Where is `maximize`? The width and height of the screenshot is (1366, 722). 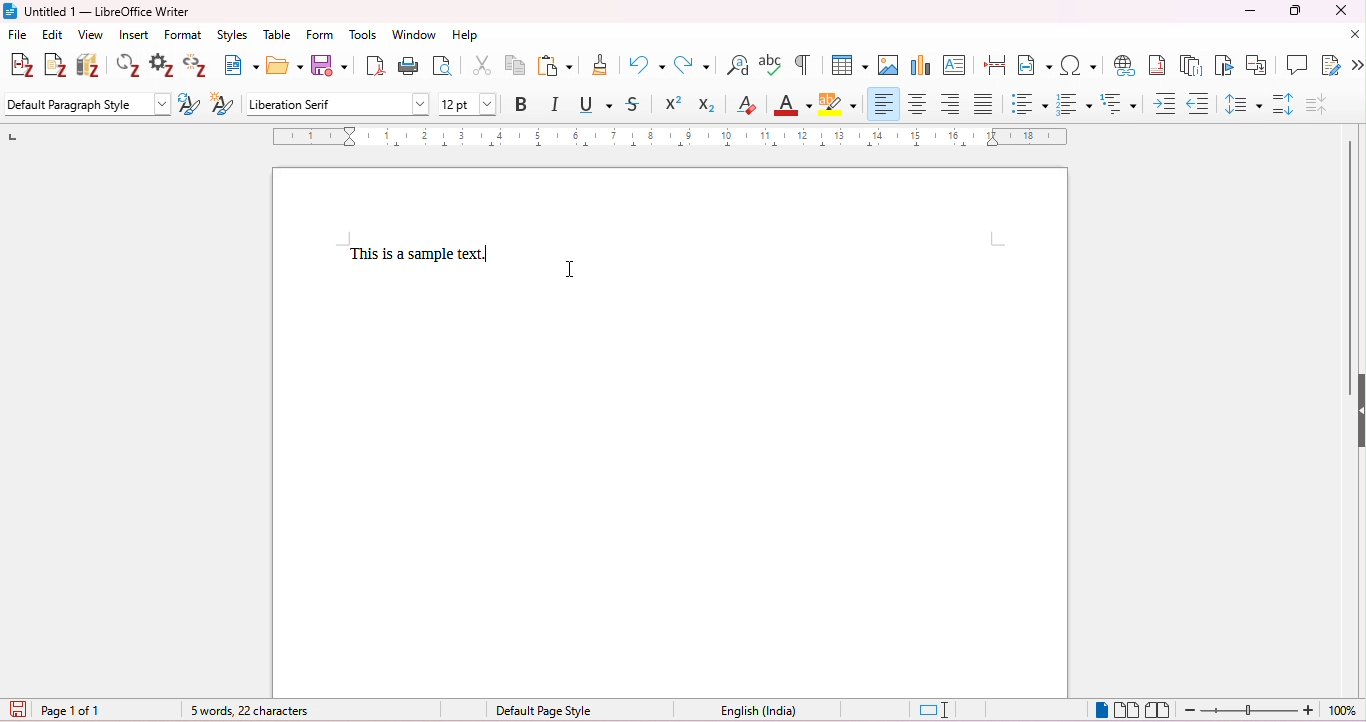
maximize is located at coordinates (1295, 11).